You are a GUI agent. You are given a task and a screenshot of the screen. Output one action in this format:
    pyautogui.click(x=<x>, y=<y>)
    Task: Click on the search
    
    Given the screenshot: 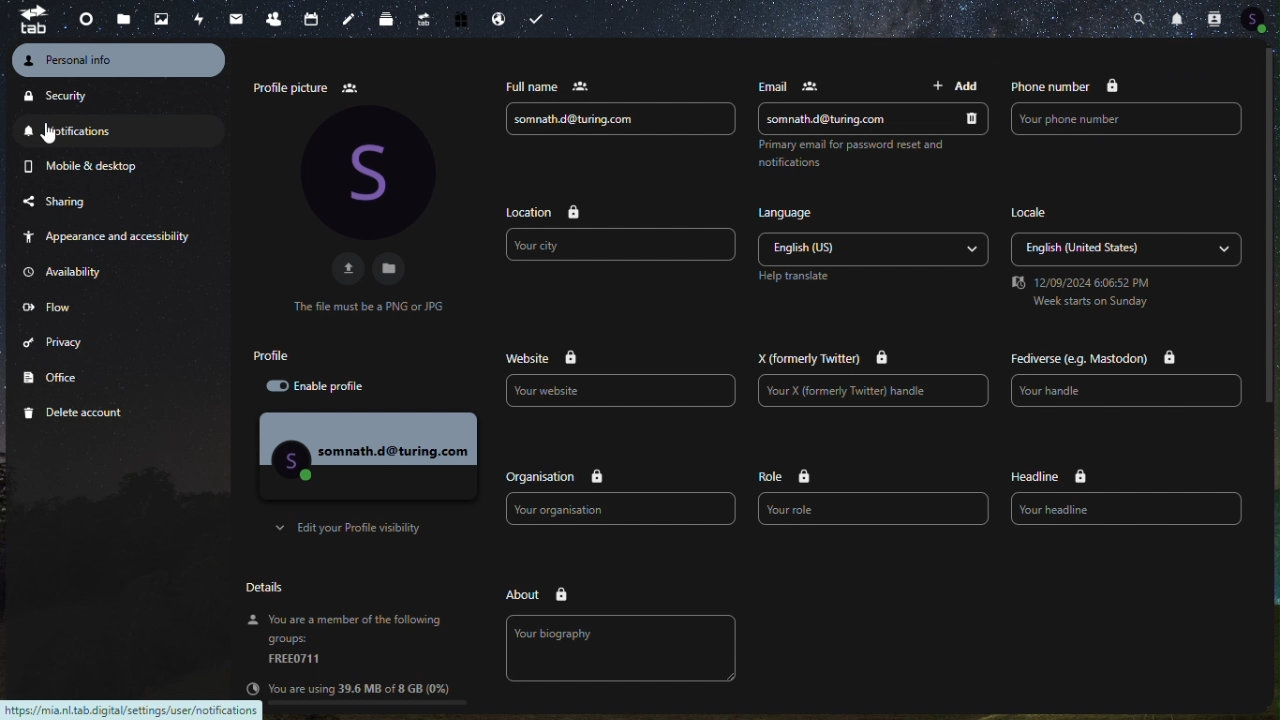 What is the action you would take?
    pyautogui.click(x=1142, y=17)
    